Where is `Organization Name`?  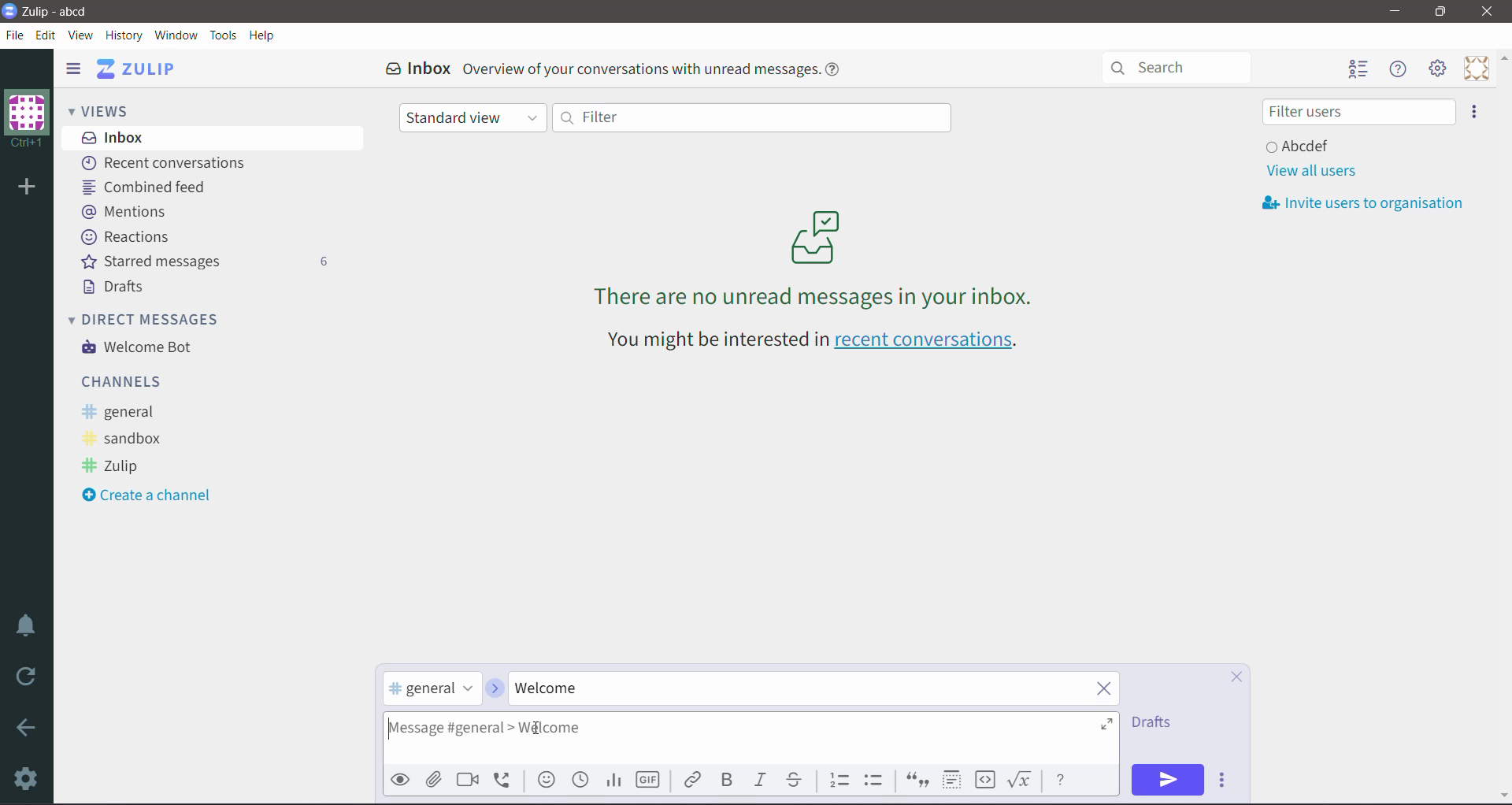 Organization Name is located at coordinates (27, 119).